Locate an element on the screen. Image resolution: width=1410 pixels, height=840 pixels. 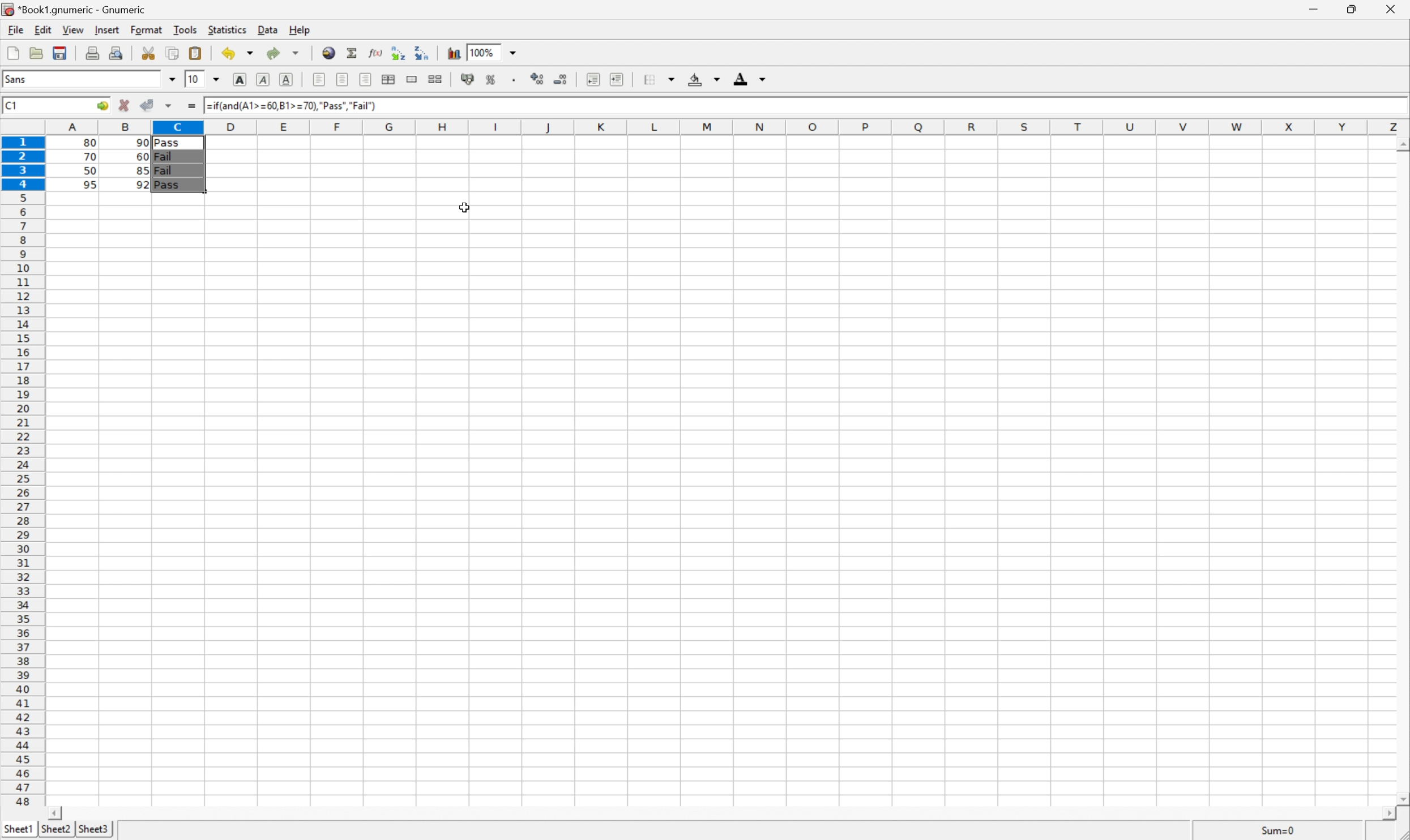
Copy the selection is located at coordinates (174, 52).